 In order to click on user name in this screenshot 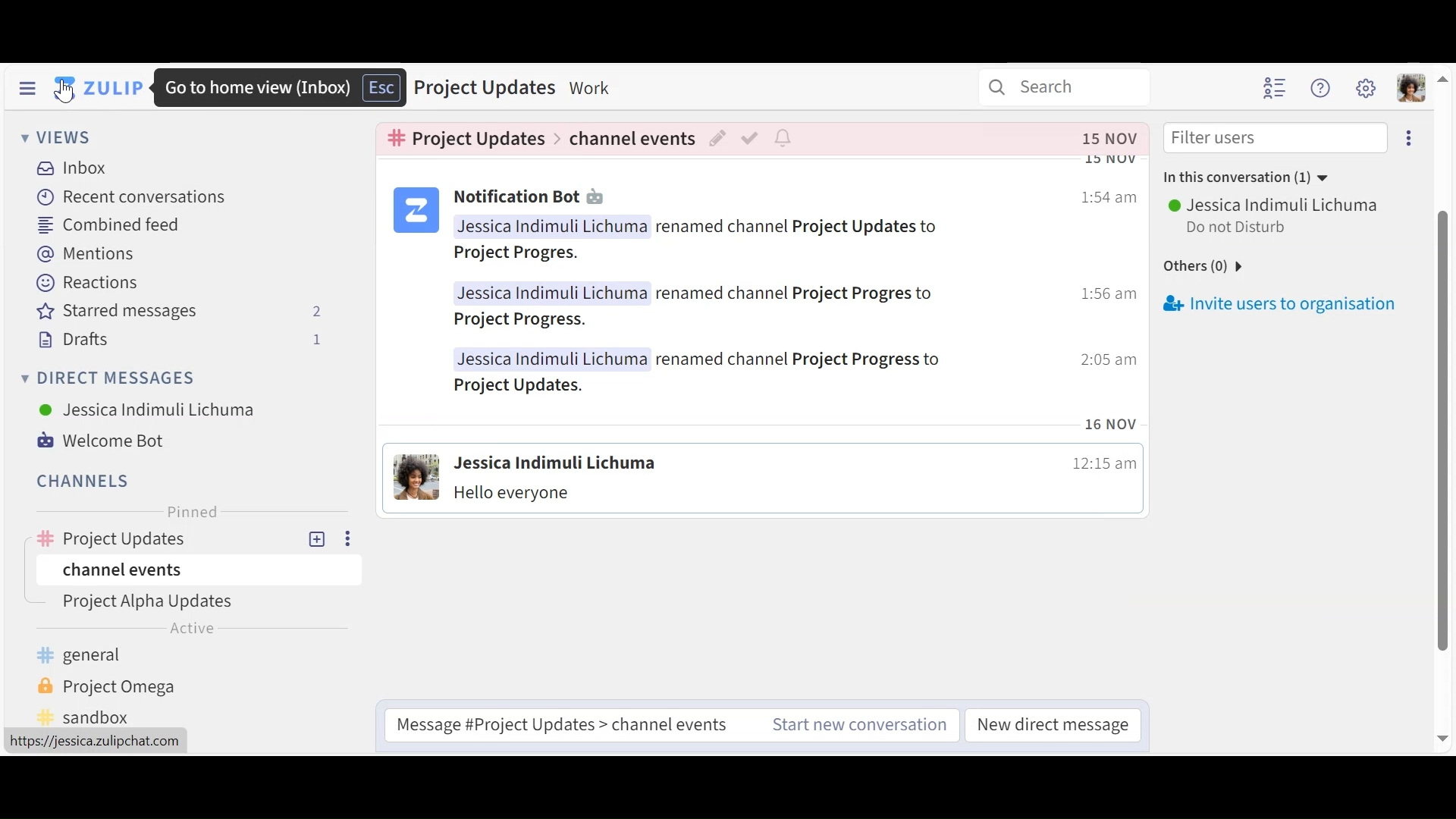, I will do `click(553, 226)`.